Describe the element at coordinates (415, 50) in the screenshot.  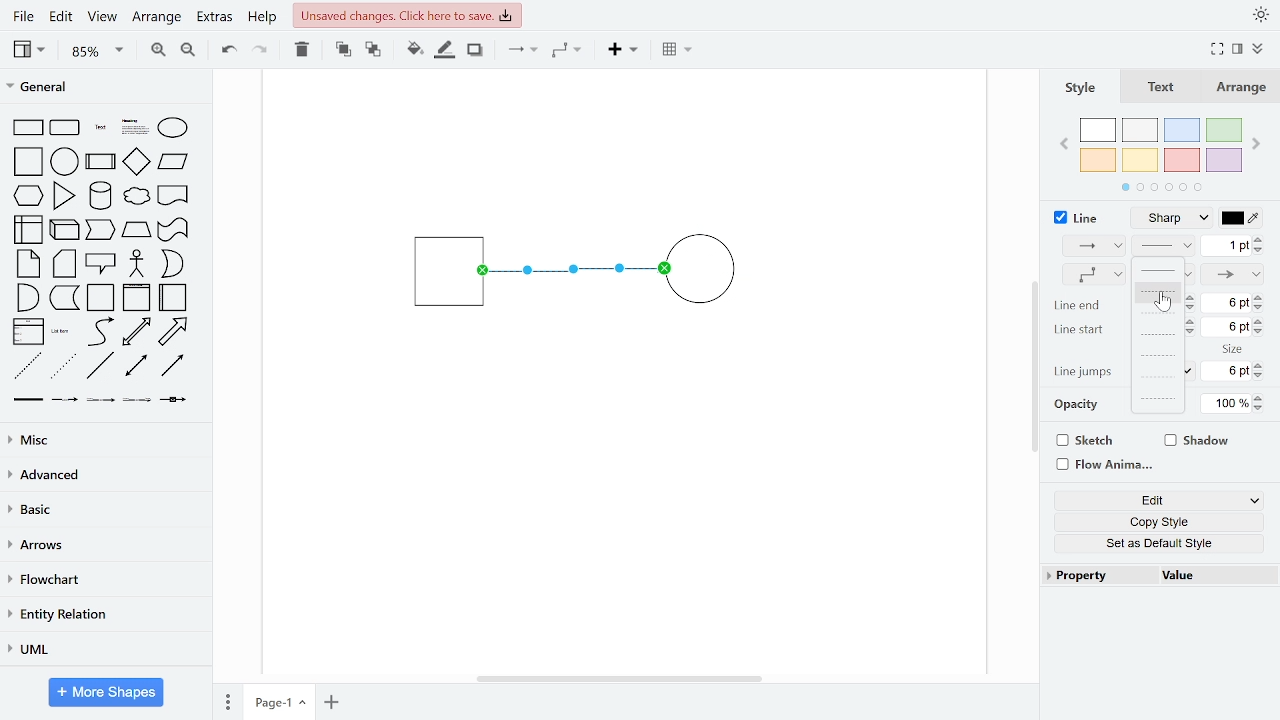
I see `fill color` at that location.